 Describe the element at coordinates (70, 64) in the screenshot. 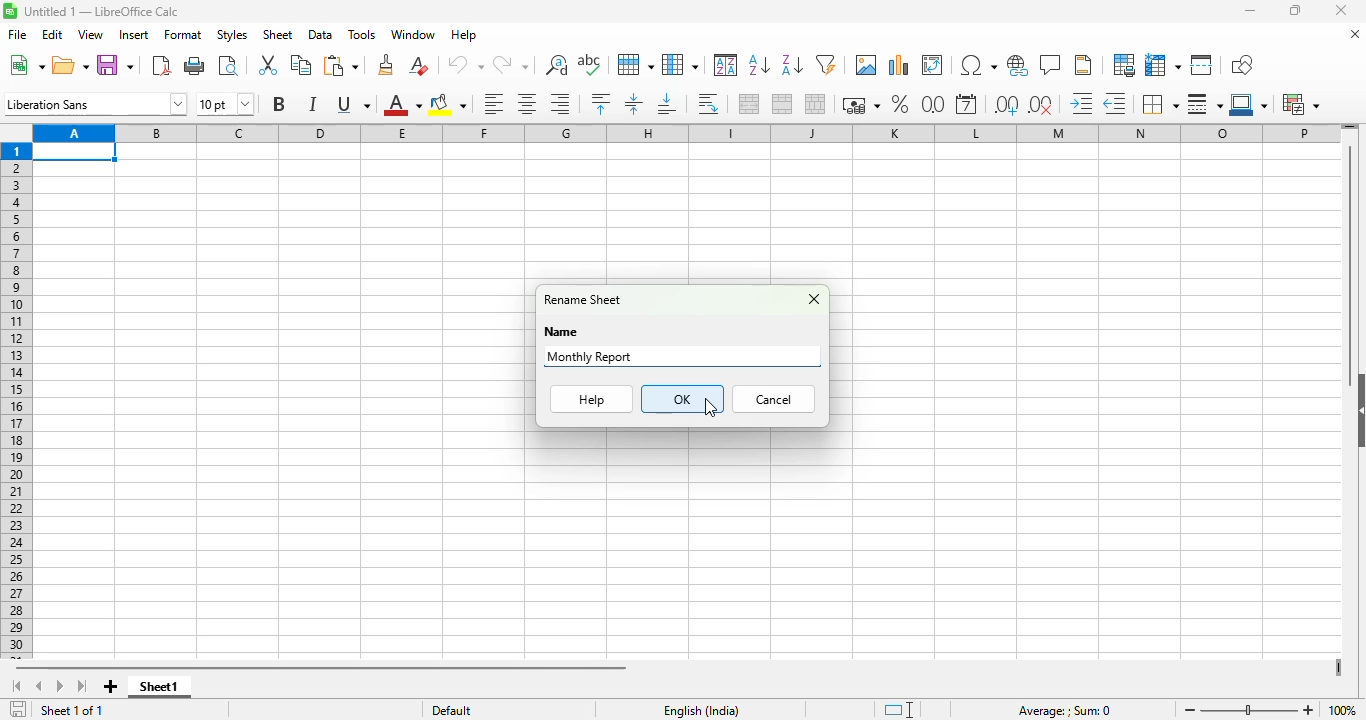

I see `open` at that location.